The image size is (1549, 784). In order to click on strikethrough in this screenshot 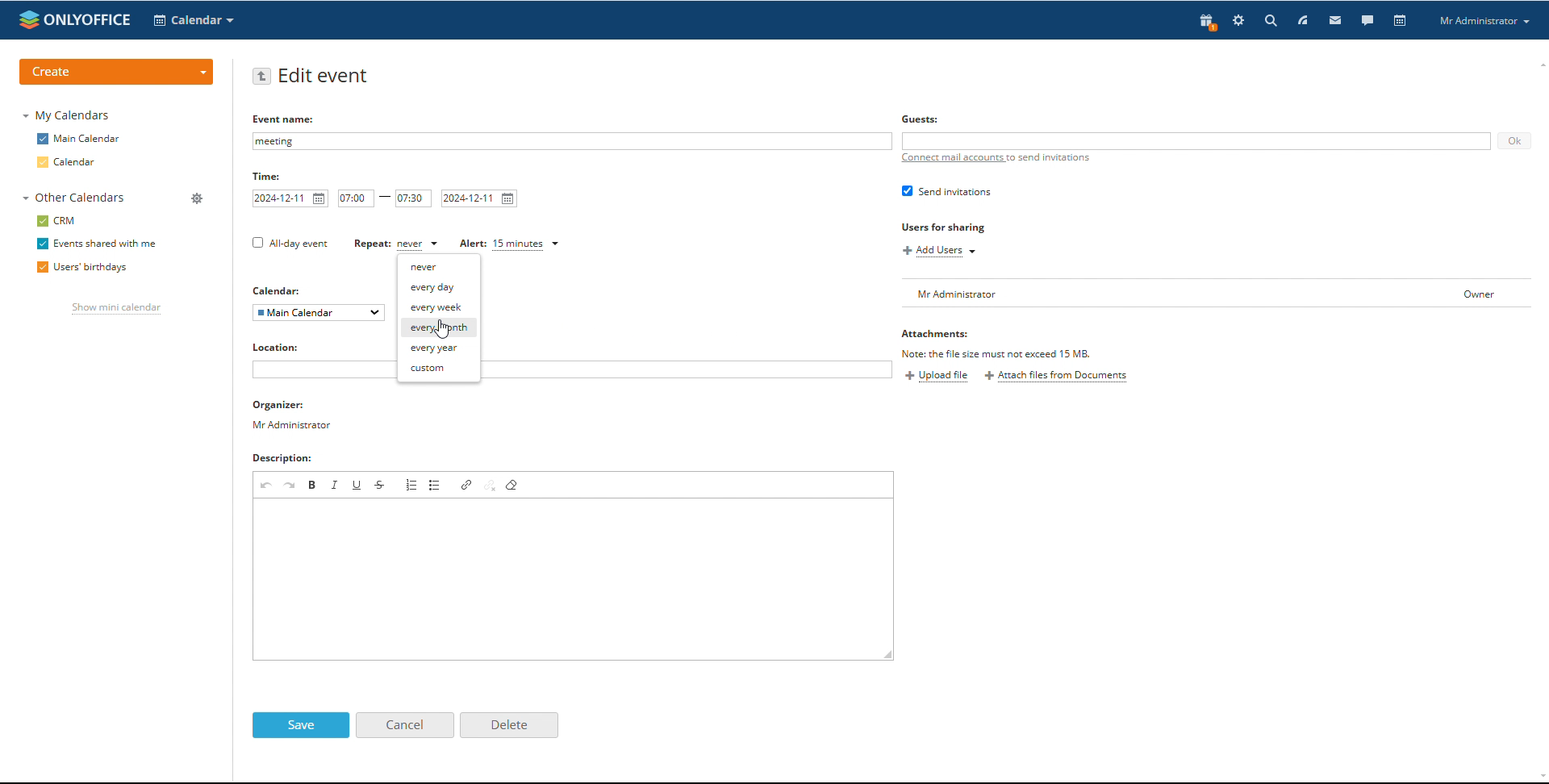, I will do `click(381, 485)`.